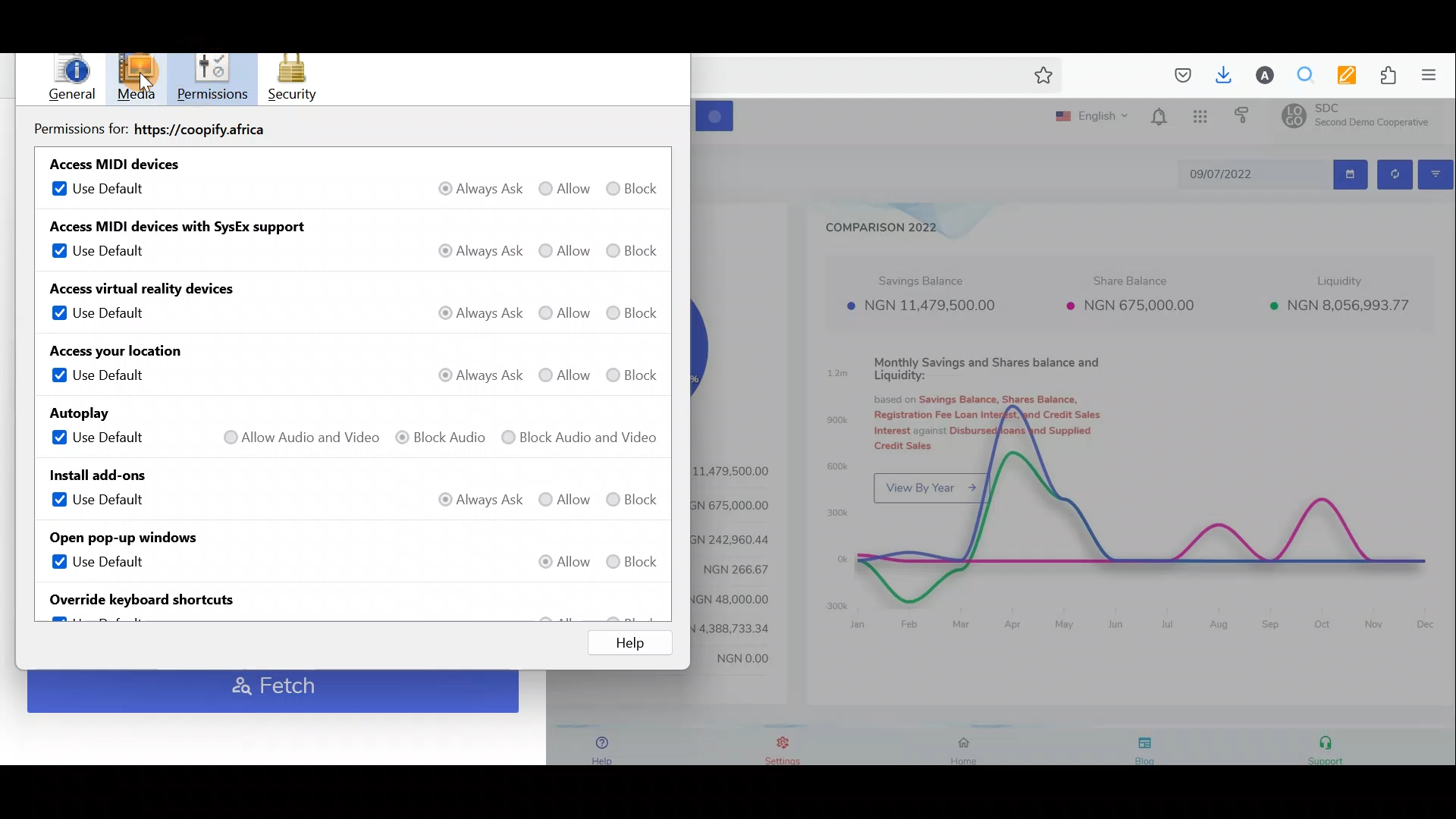 The image size is (1456, 819). Describe the element at coordinates (1340, 75) in the screenshot. I see `Multi keywords highlighter` at that location.